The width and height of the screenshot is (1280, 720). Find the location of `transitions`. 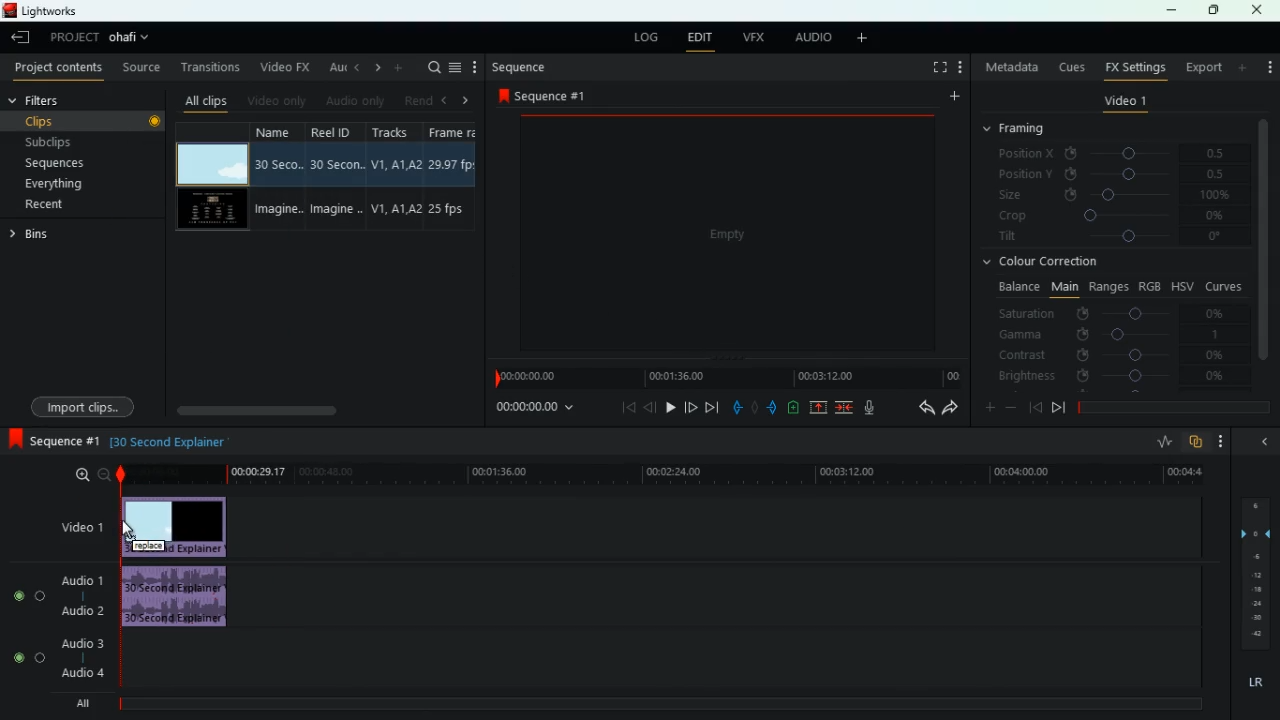

transitions is located at coordinates (212, 67).